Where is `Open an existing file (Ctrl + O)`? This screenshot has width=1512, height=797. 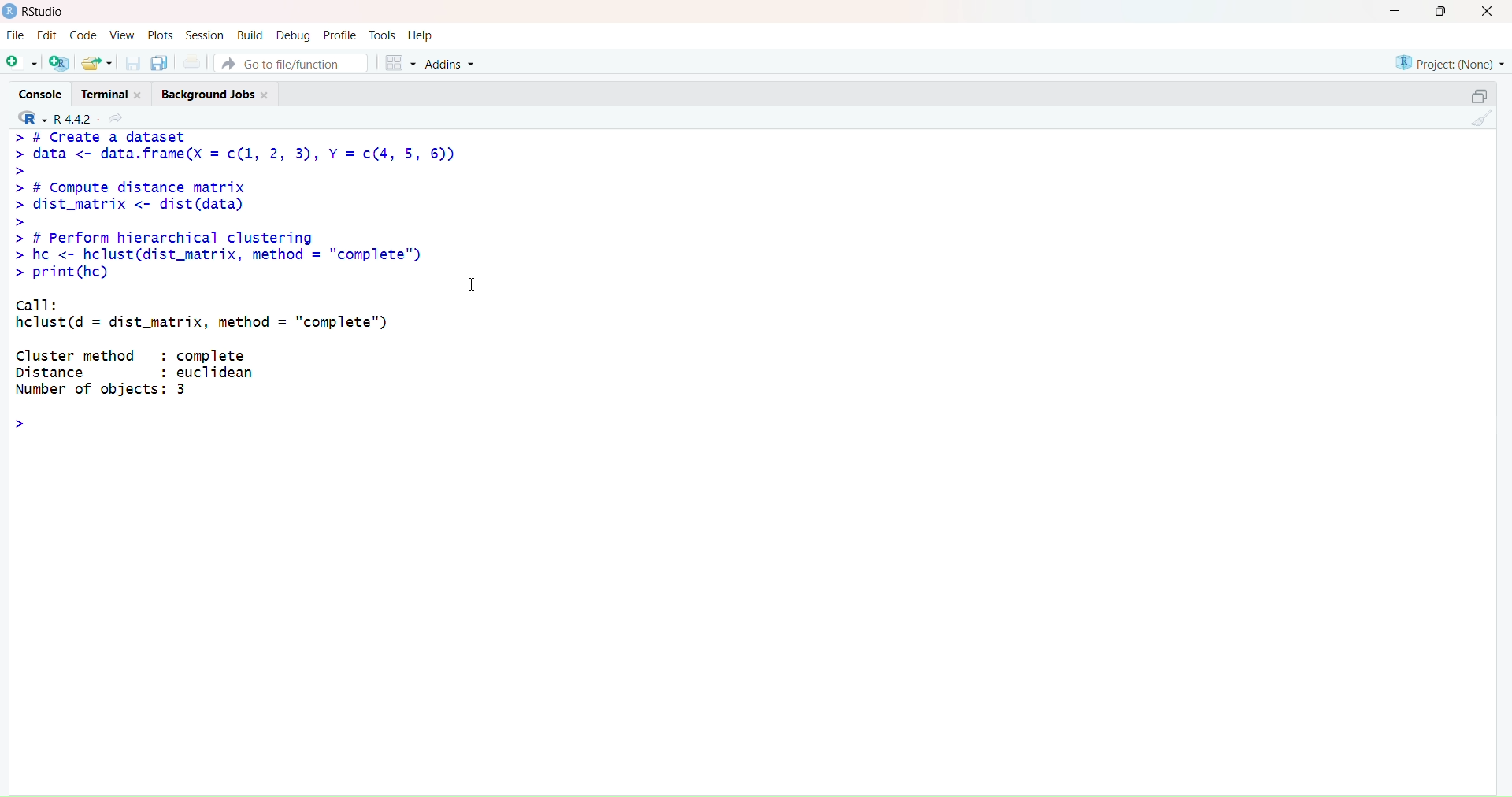 Open an existing file (Ctrl + O) is located at coordinates (97, 61).